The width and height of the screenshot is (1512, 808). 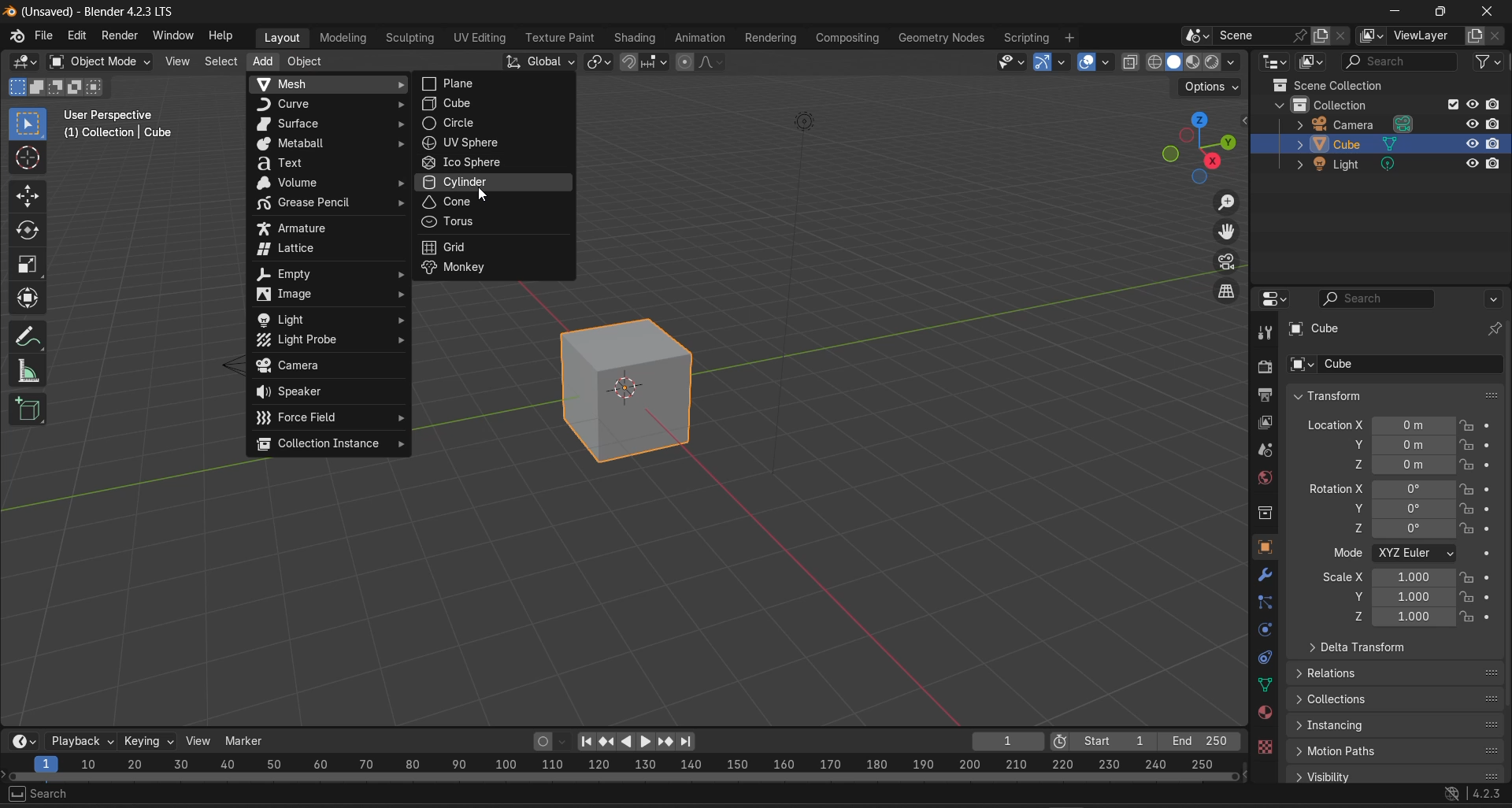 I want to click on options, so click(x=1496, y=298).